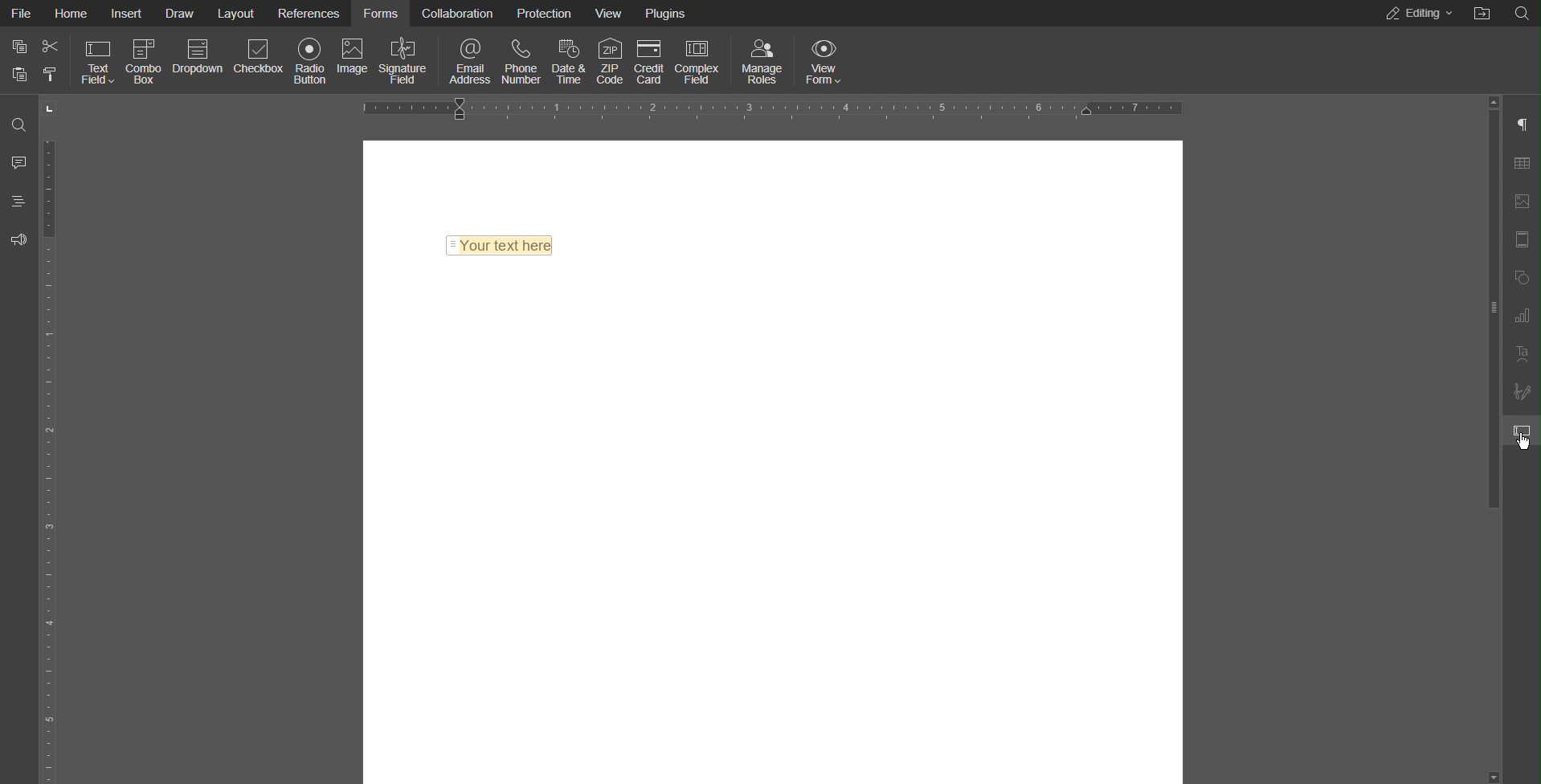 This screenshot has height=784, width=1541. What do you see at coordinates (762, 59) in the screenshot?
I see `Manage Roles` at bounding box center [762, 59].